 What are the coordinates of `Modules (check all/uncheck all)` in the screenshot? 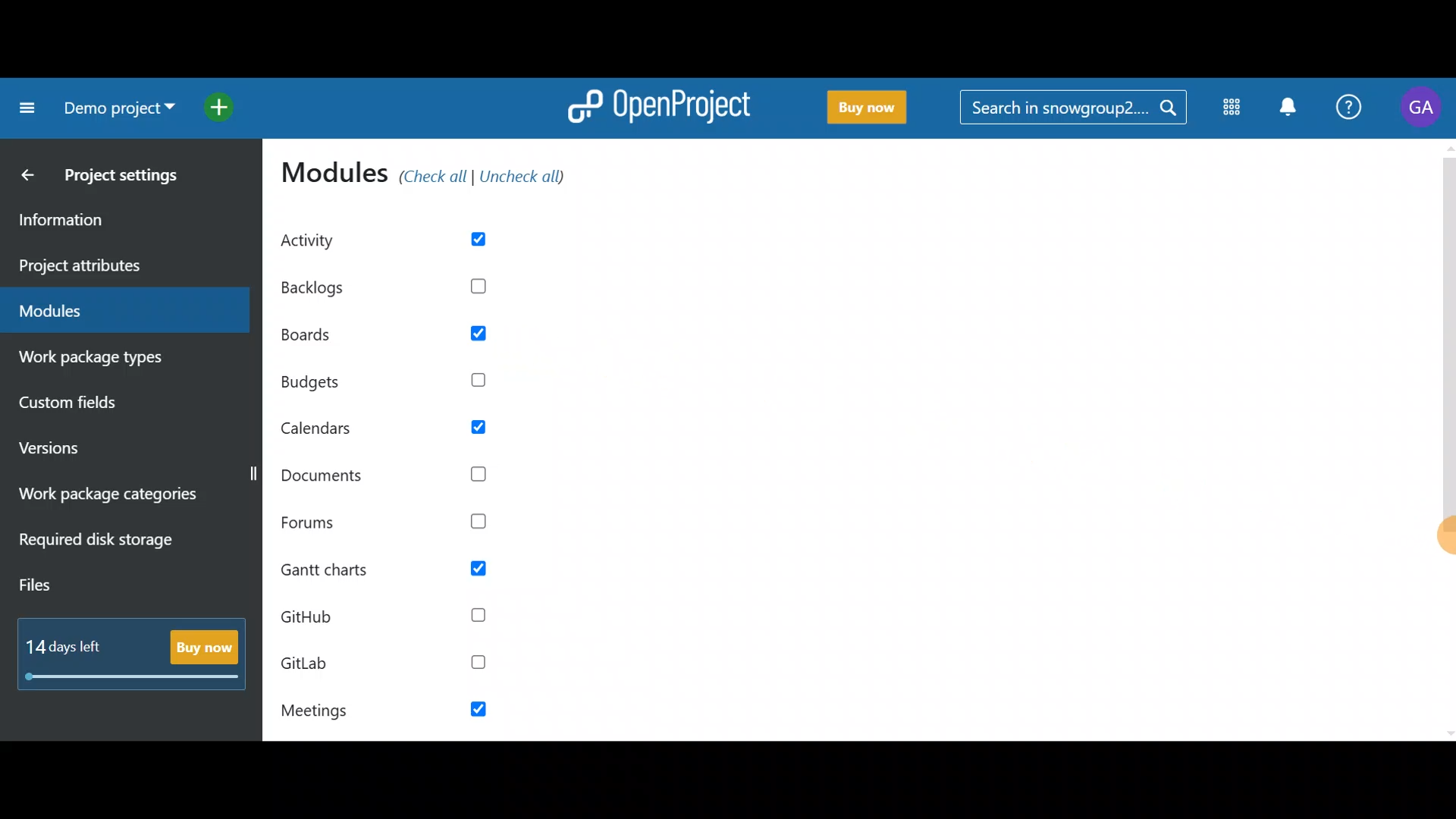 It's located at (431, 175).